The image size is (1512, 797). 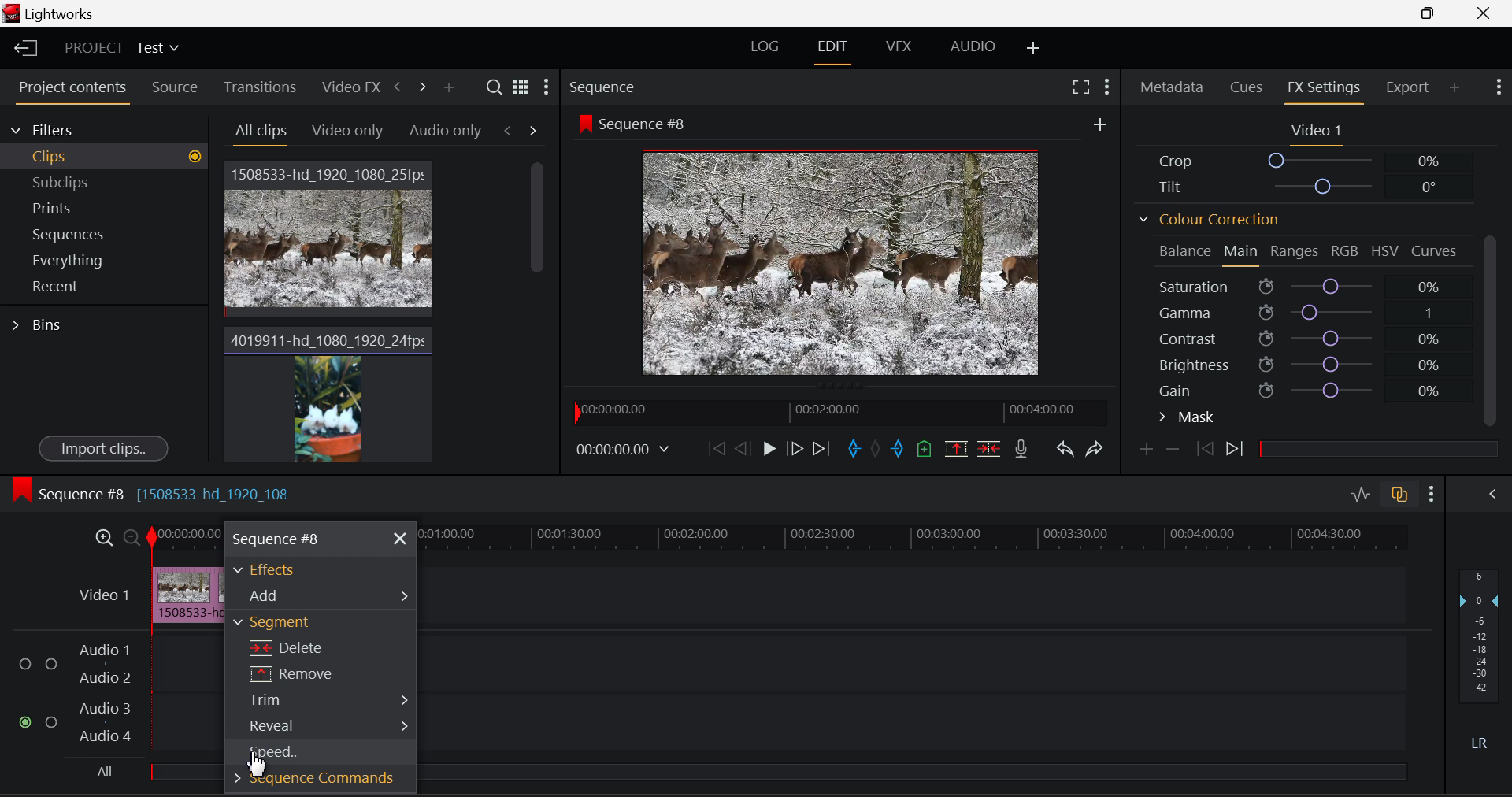 What do you see at coordinates (898, 46) in the screenshot?
I see `VFX` at bounding box center [898, 46].